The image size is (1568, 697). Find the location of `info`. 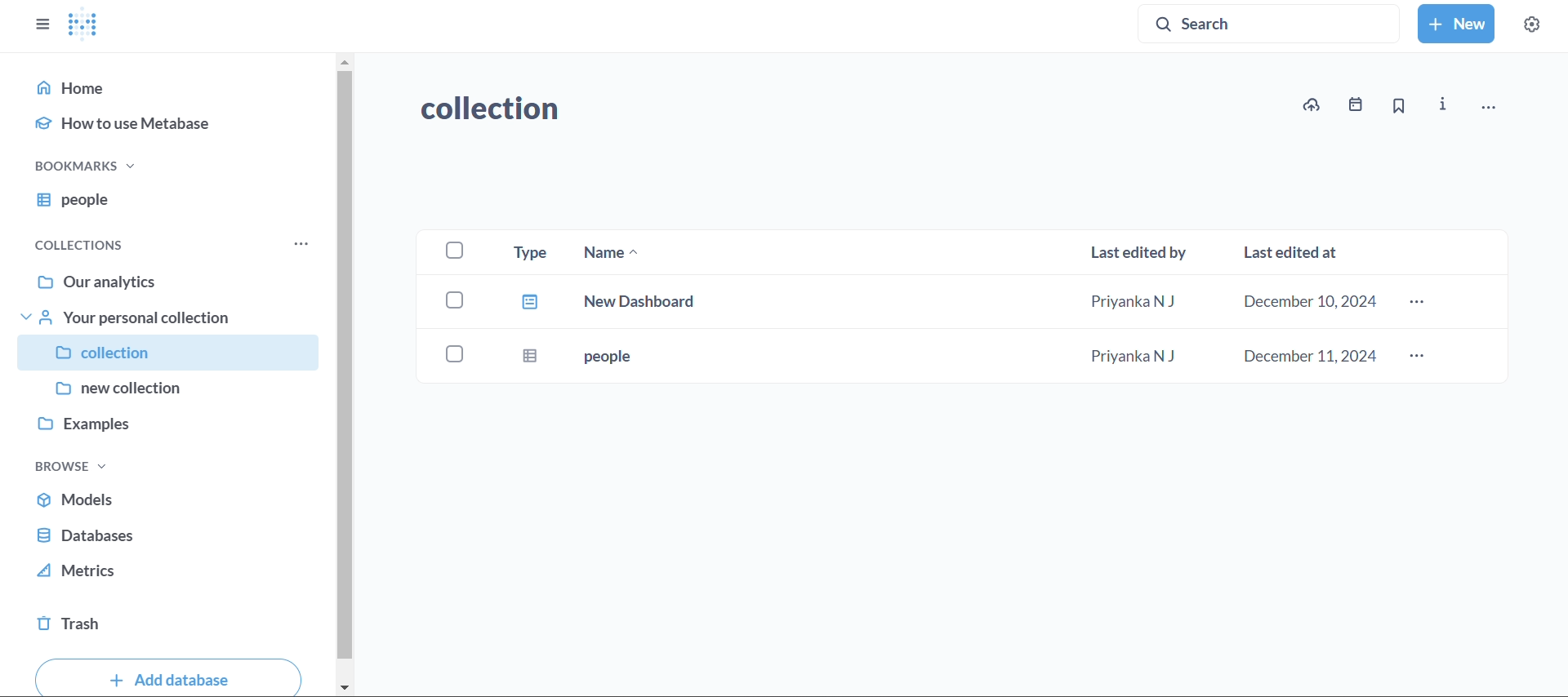

info is located at coordinates (1441, 106).